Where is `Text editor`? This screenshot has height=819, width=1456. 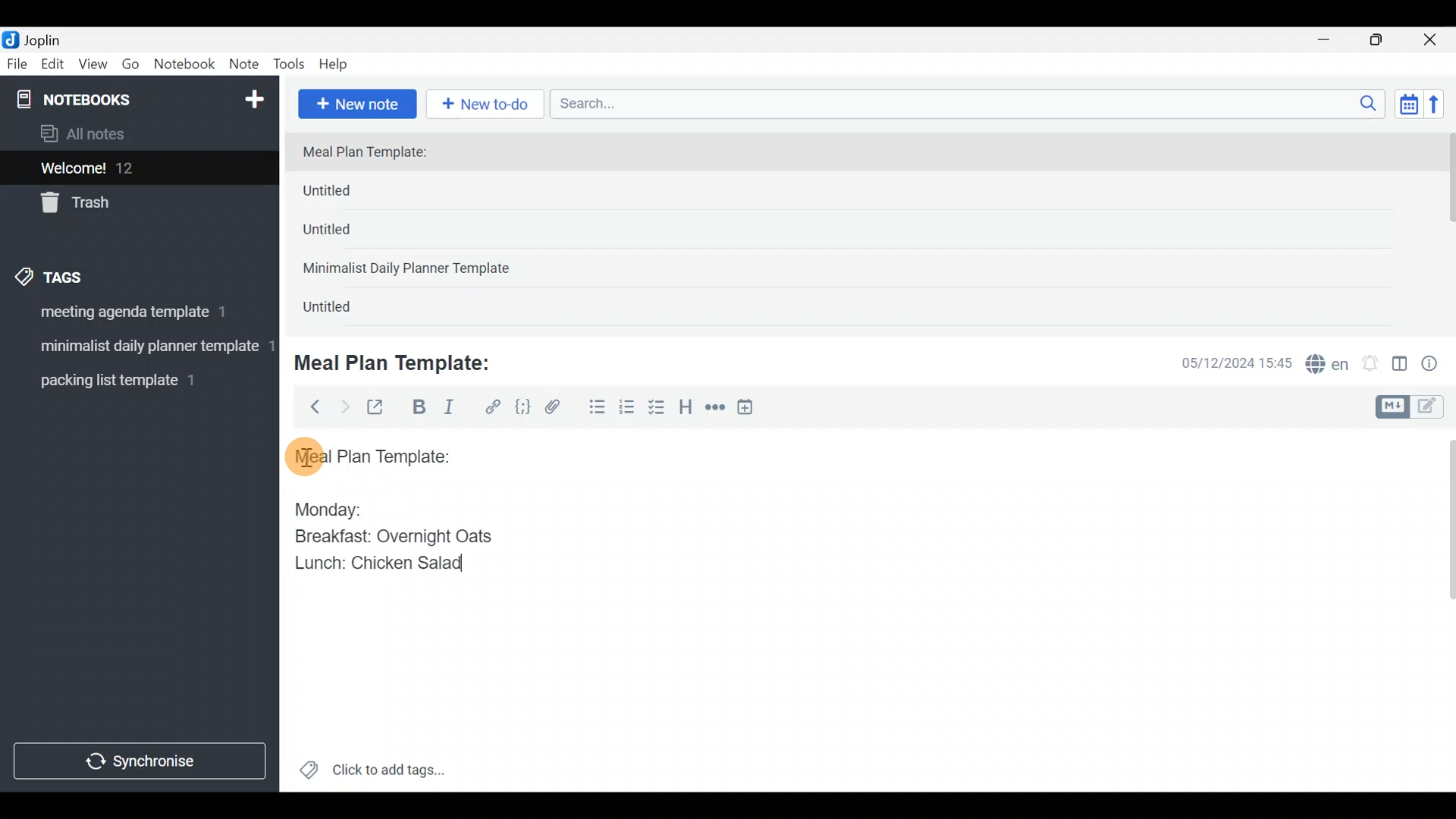
Text editor is located at coordinates (846, 693).